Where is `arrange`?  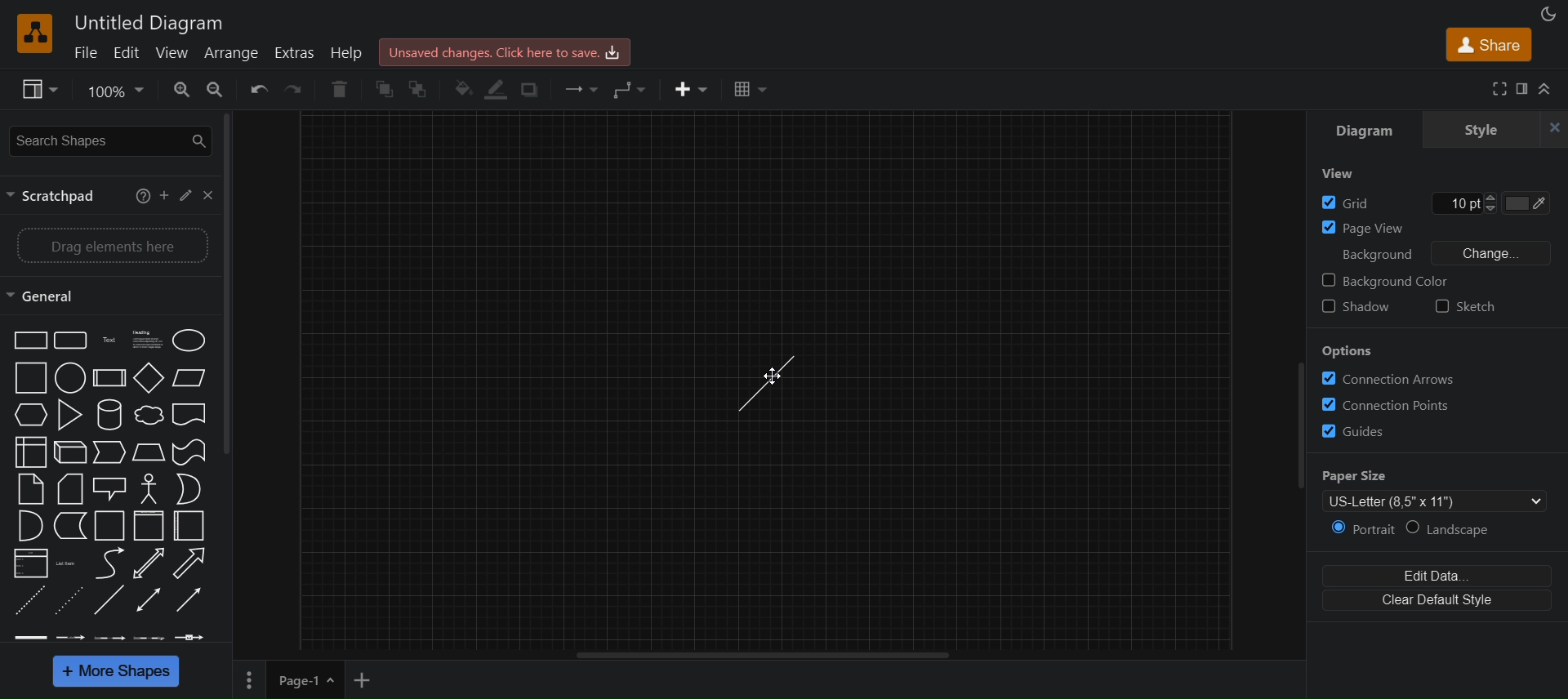 arrange is located at coordinates (233, 52).